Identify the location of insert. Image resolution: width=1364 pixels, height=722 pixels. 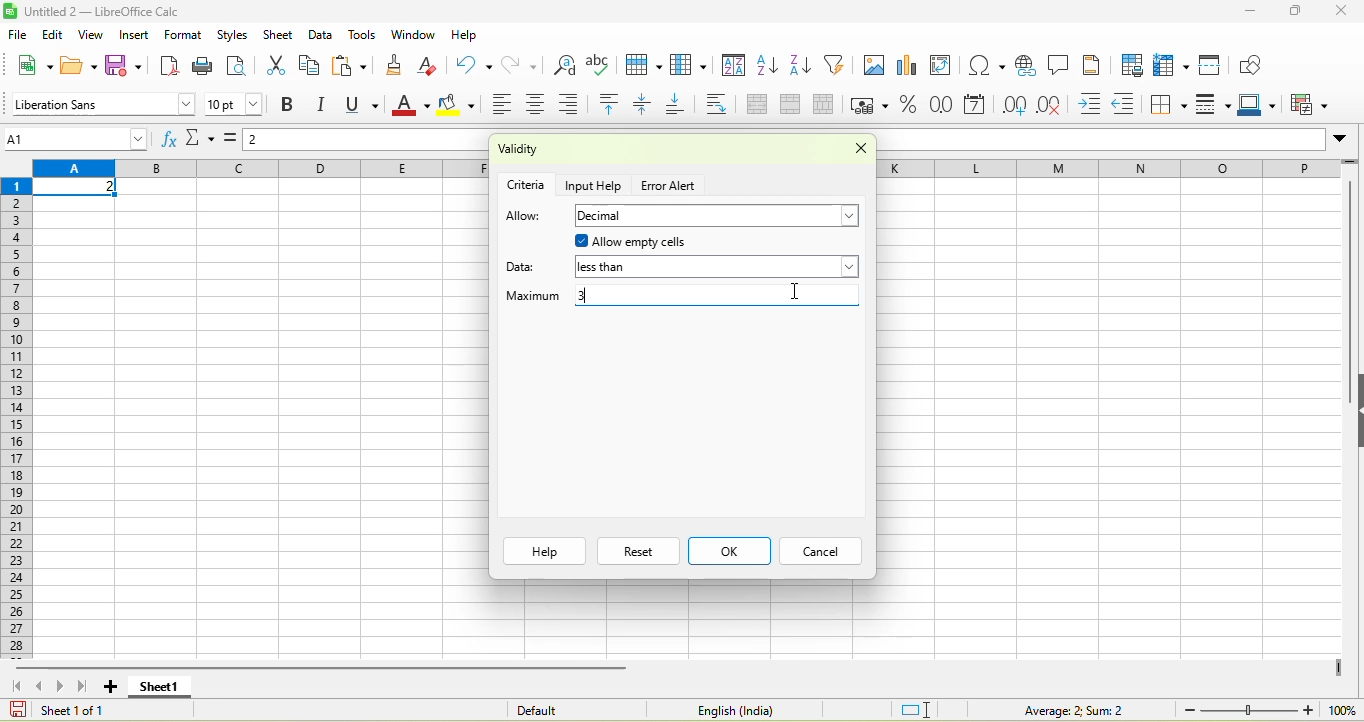
(135, 35).